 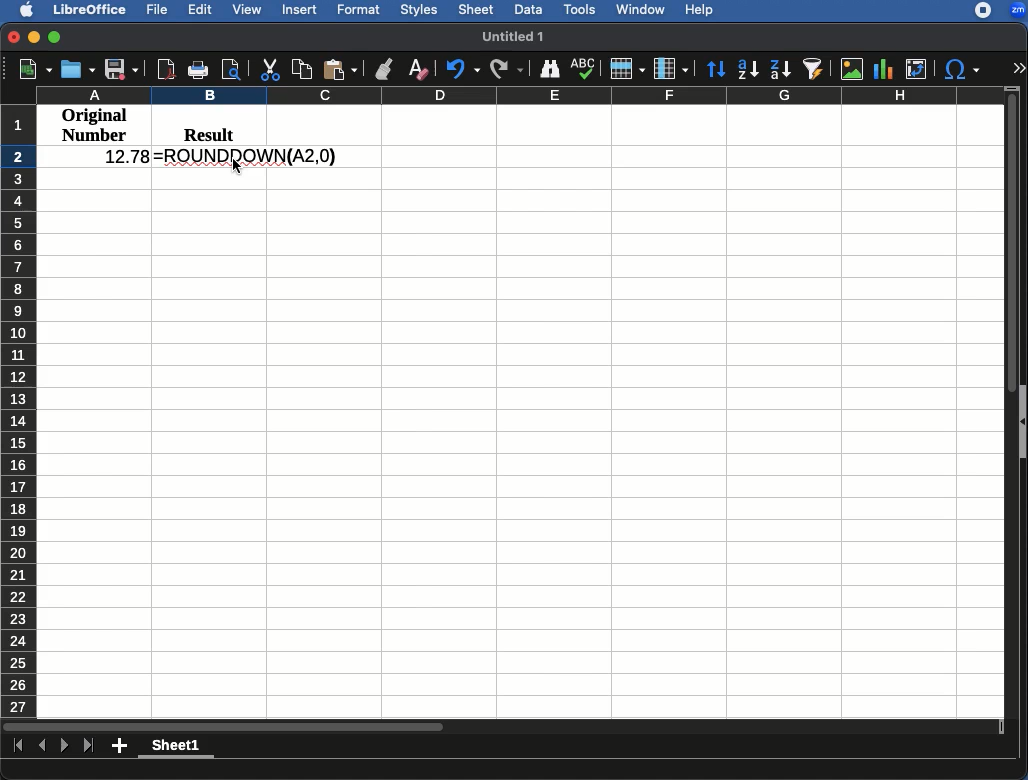 What do you see at coordinates (746, 70) in the screenshot?
I see `Ascending` at bounding box center [746, 70].